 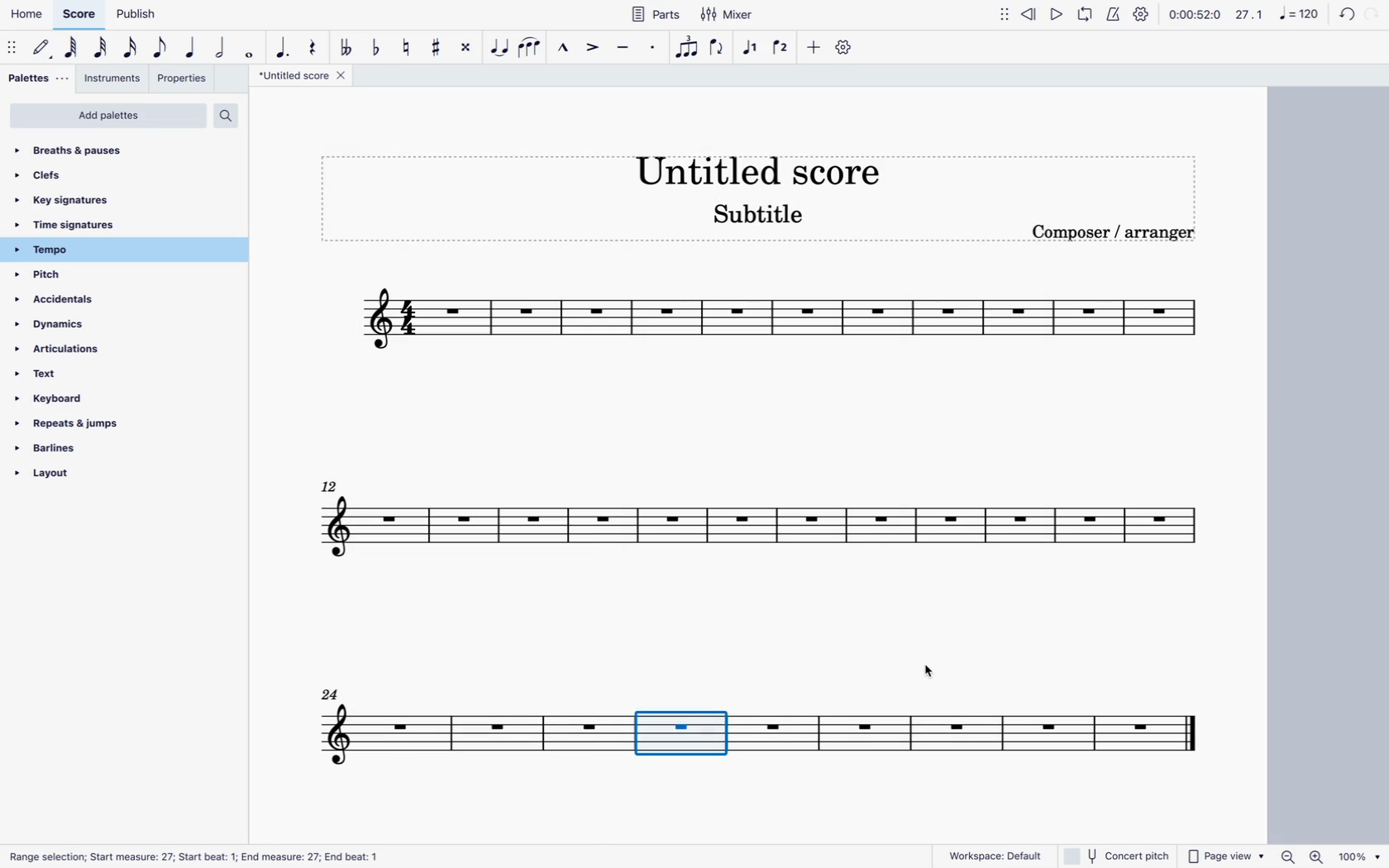 What do you see at coordinates (748, 732) in the screenshot?
I see `score` at bounding box center [748, 732].